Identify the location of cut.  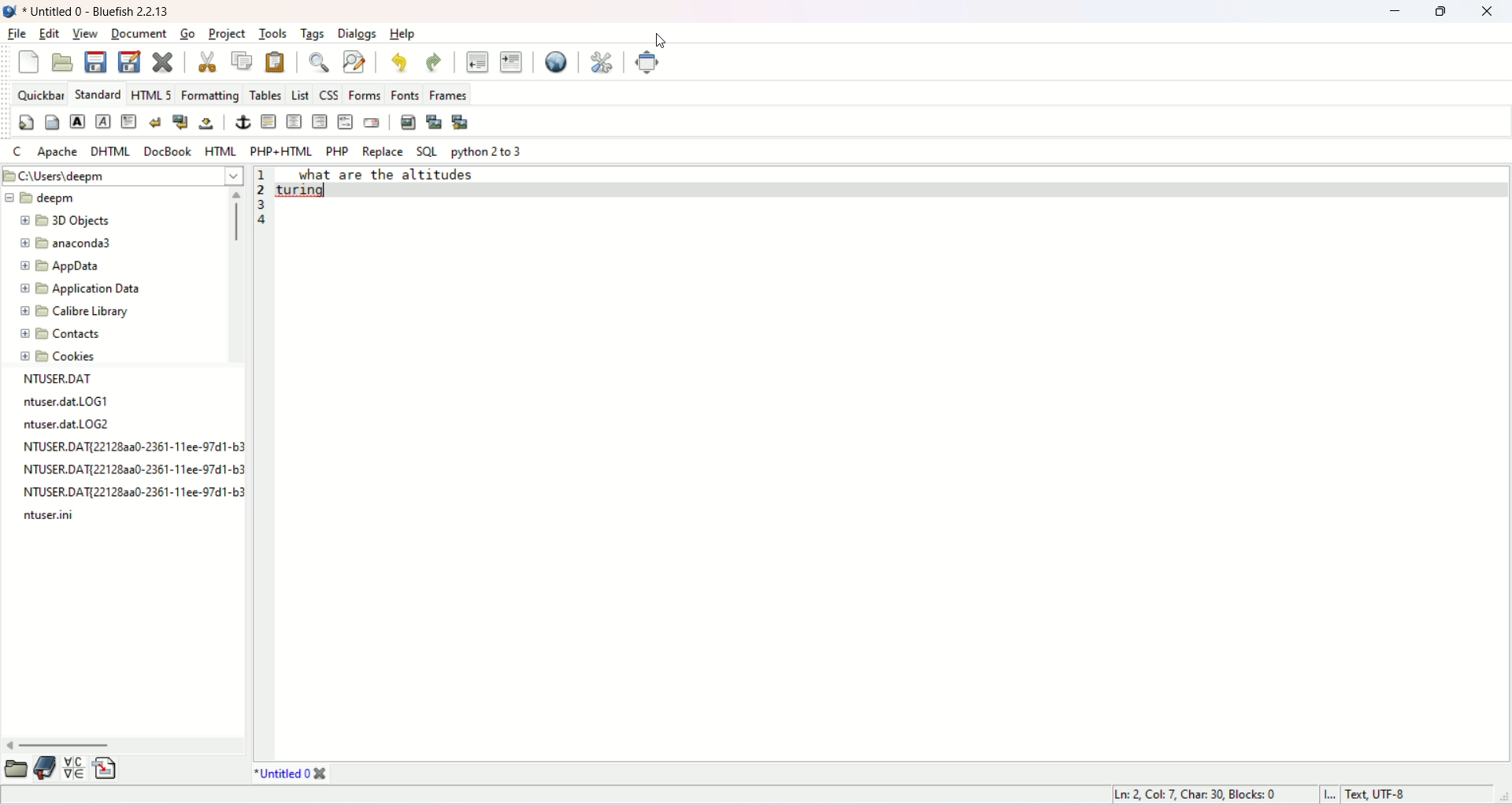
(209, 62).